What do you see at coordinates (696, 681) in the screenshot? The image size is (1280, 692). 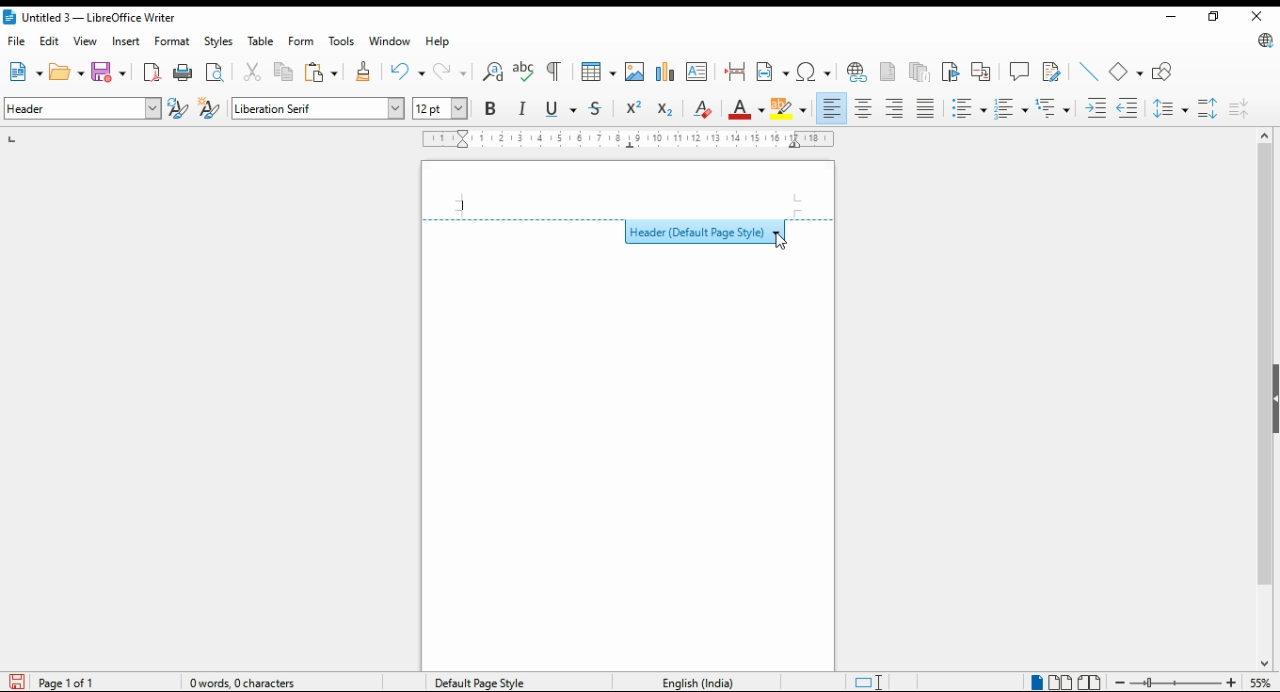 I see `language` at bounding box center [696, 681].